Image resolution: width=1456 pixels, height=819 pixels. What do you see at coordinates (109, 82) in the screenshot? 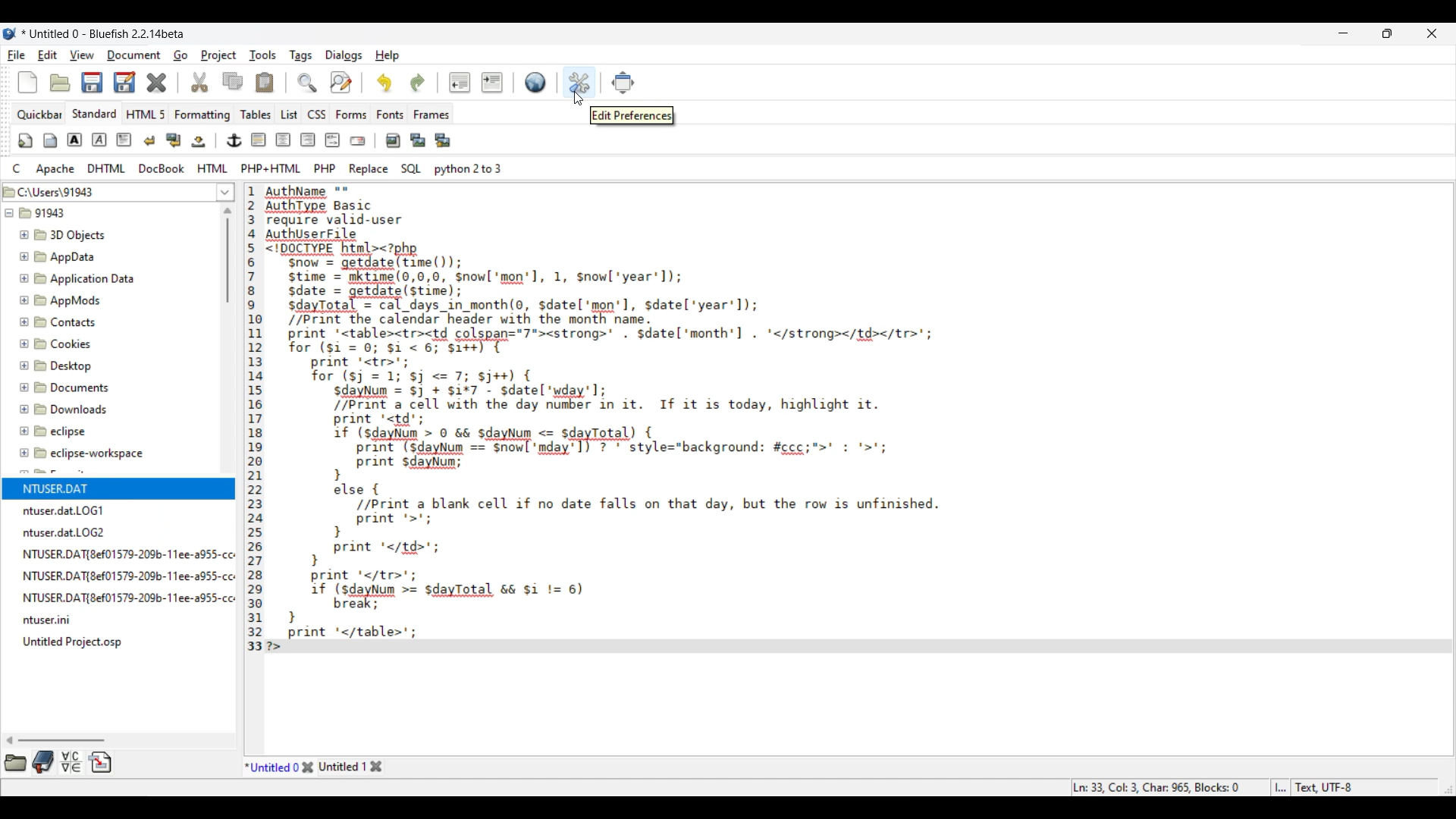
I see `Save options` at bounding box center [109, 82].